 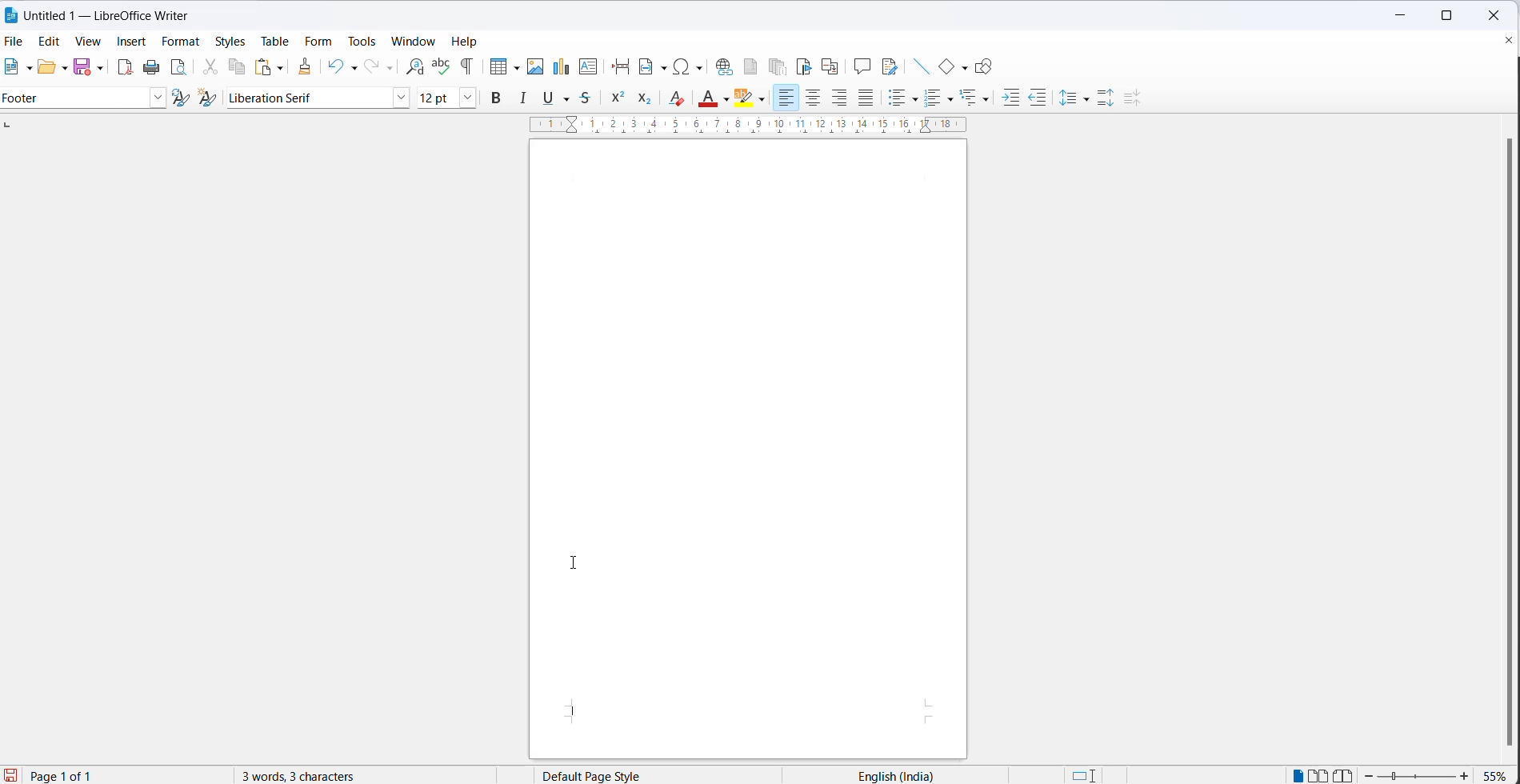 I want to click on basic shapes, so click(x=946, y=67).